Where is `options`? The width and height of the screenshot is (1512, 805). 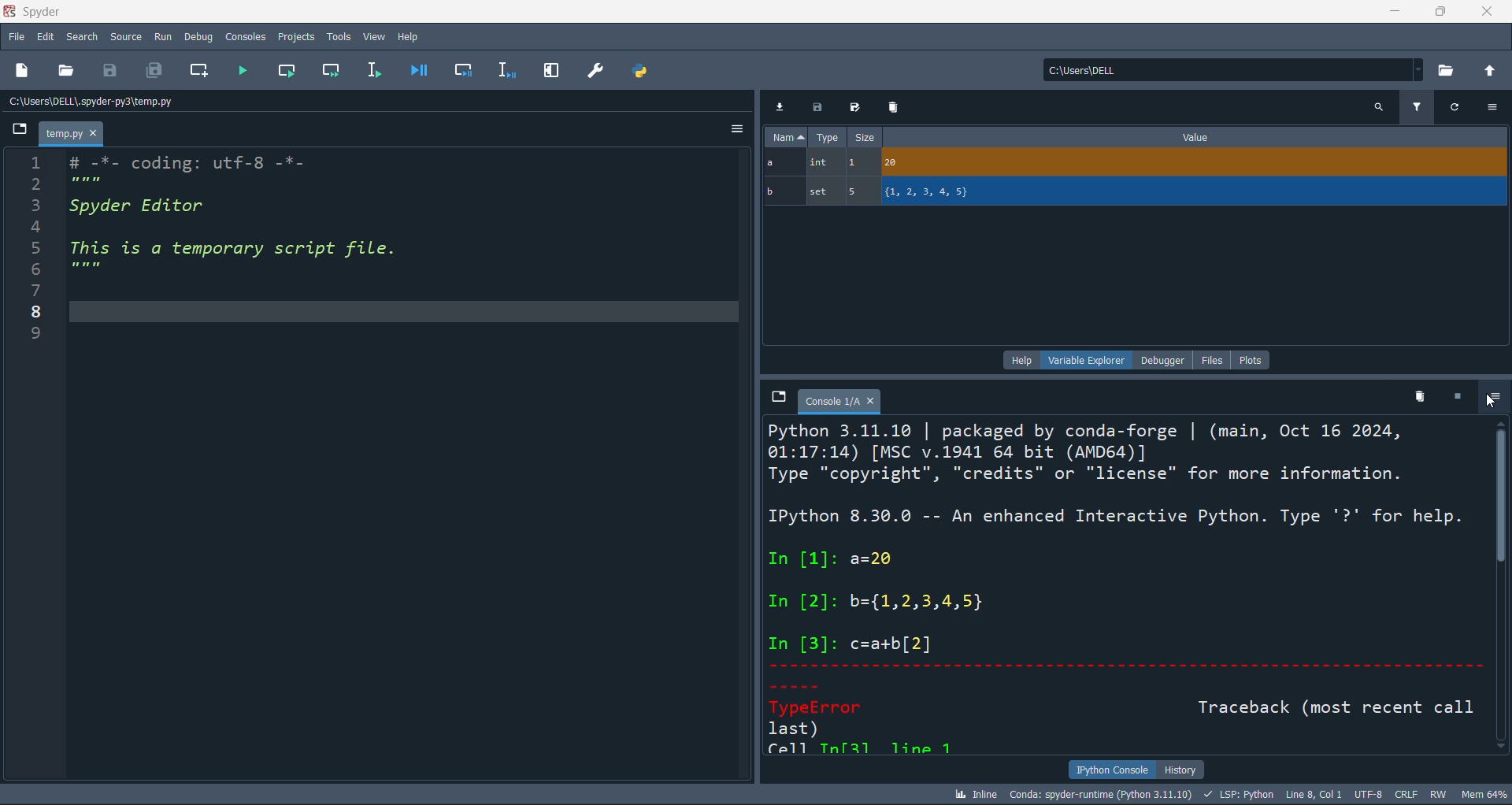 options is located at coordinates (1492, 398).